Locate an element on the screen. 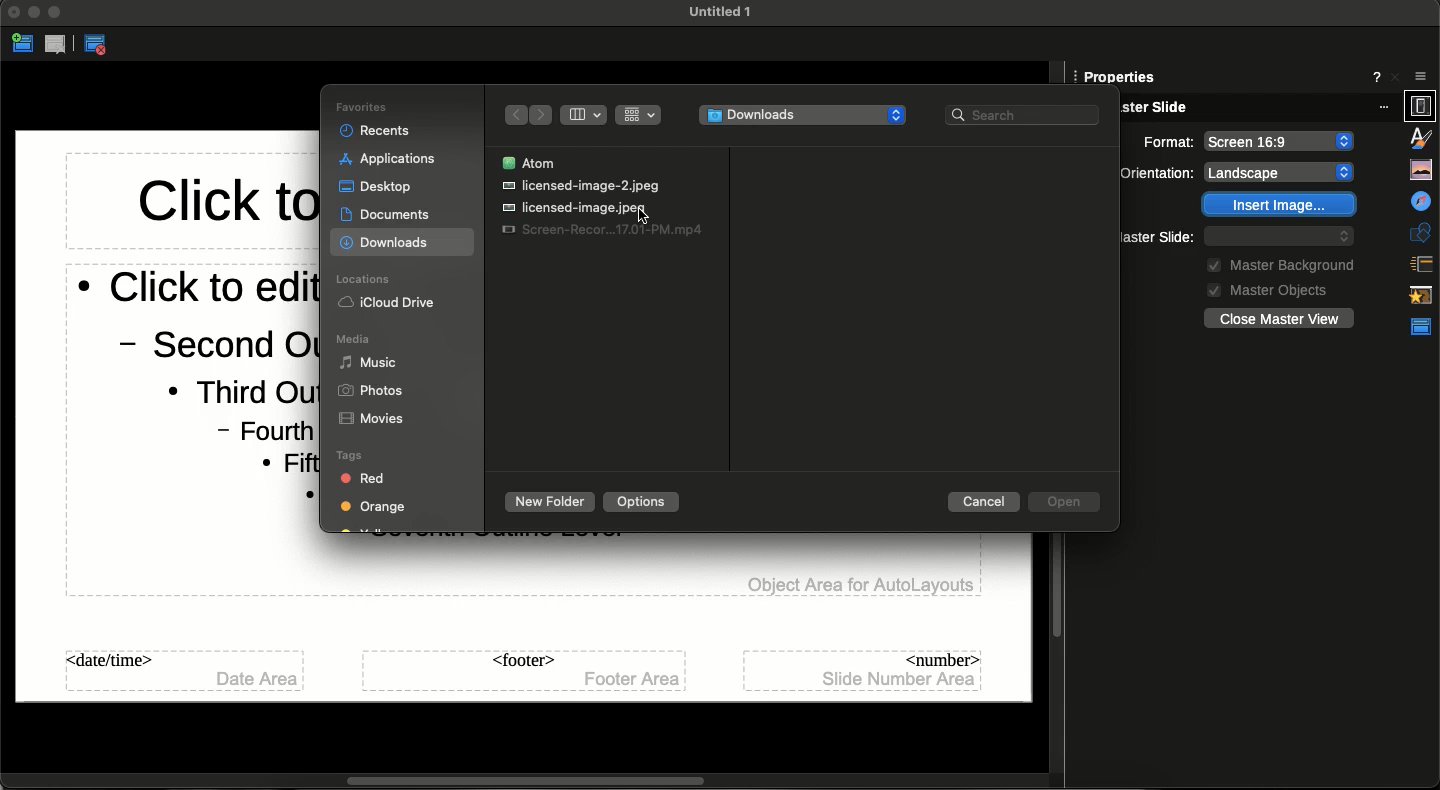 The height and width of the screenshot is (790, 1440). Scroll is located at coordinates (1055, 591).